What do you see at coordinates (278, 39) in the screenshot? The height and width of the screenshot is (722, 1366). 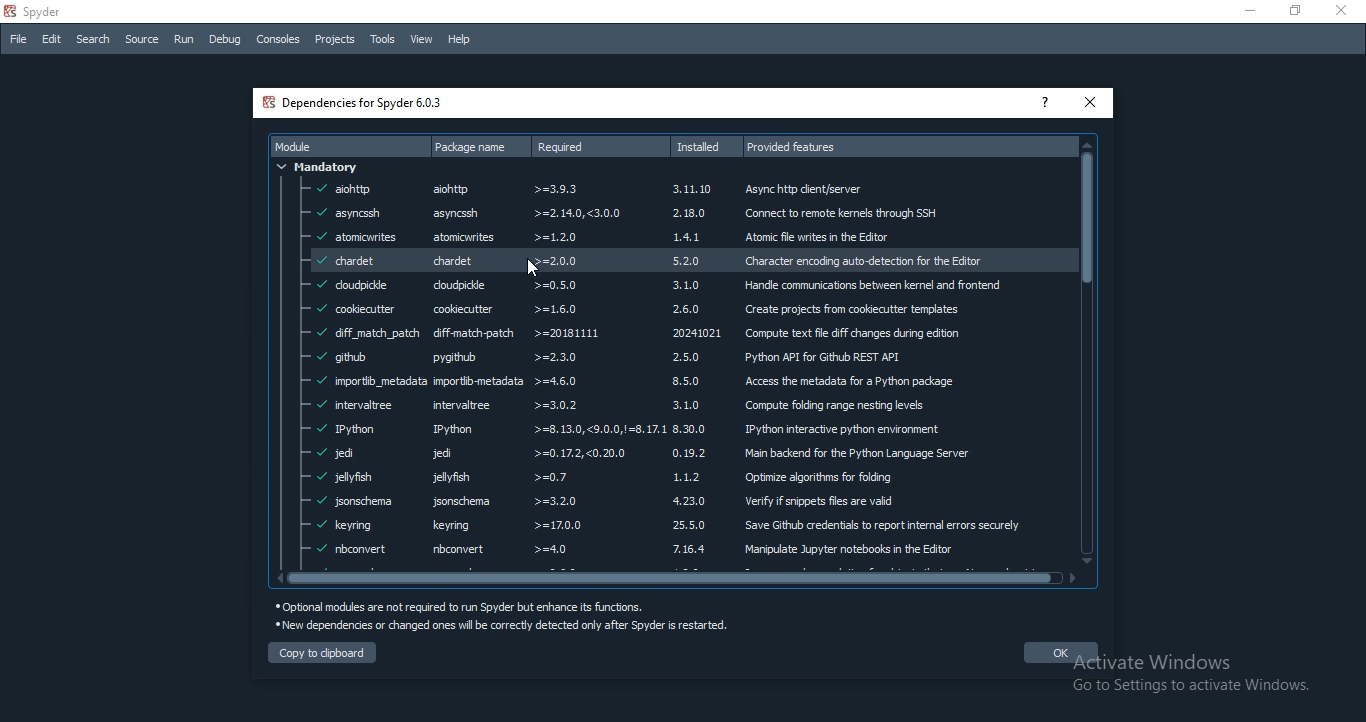 I see `Consoles` at bounding box center [278, 39].